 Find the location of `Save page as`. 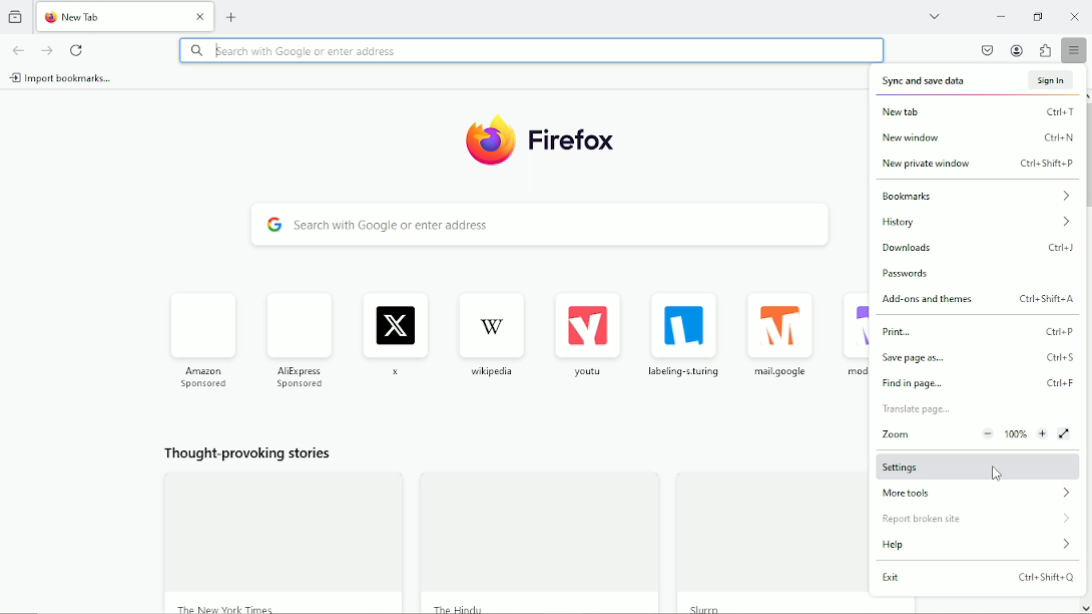

Save page as is located at coordinates (981, 359).